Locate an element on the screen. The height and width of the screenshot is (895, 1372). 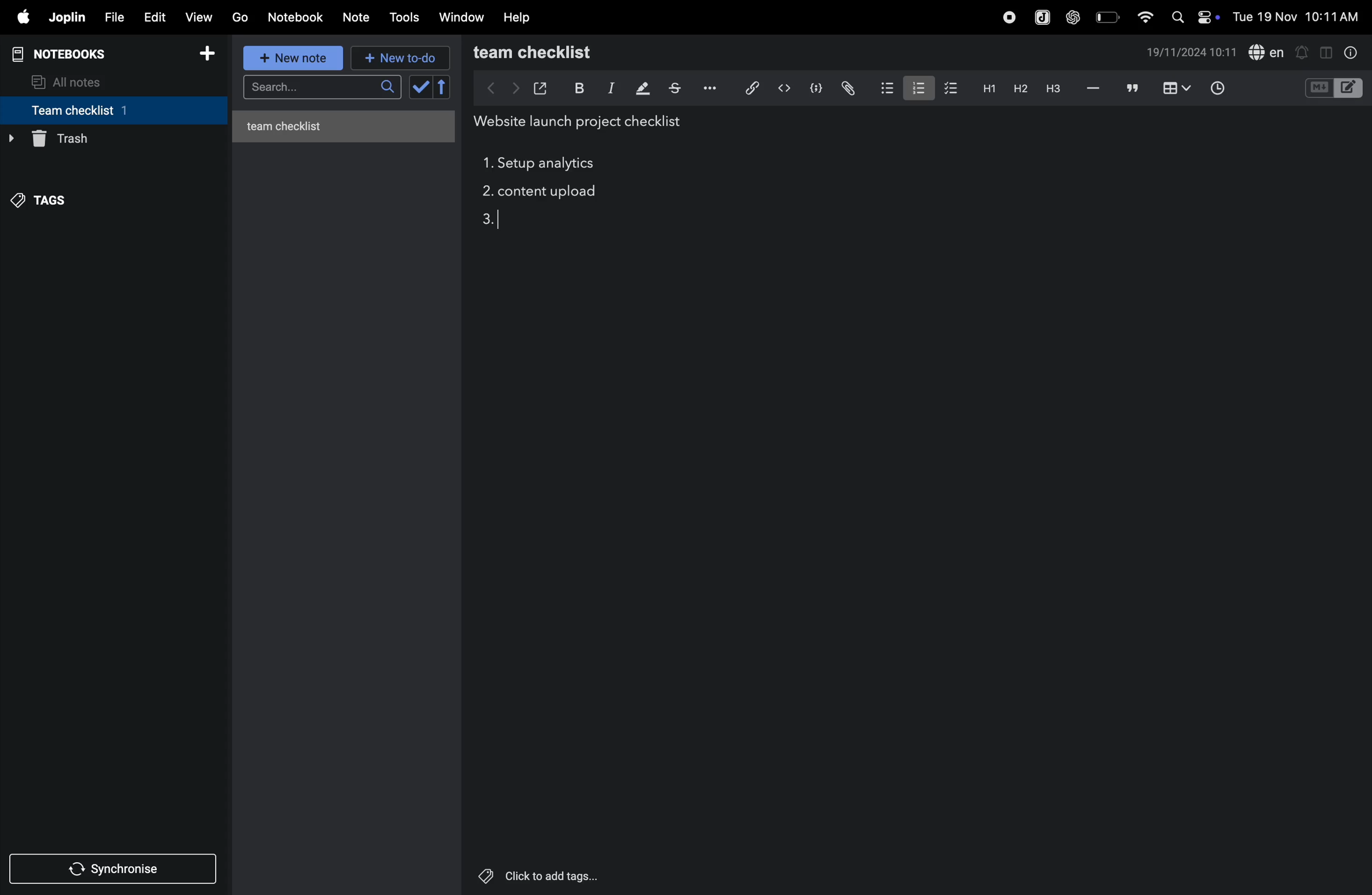
check is located at coordinates (431, 88).